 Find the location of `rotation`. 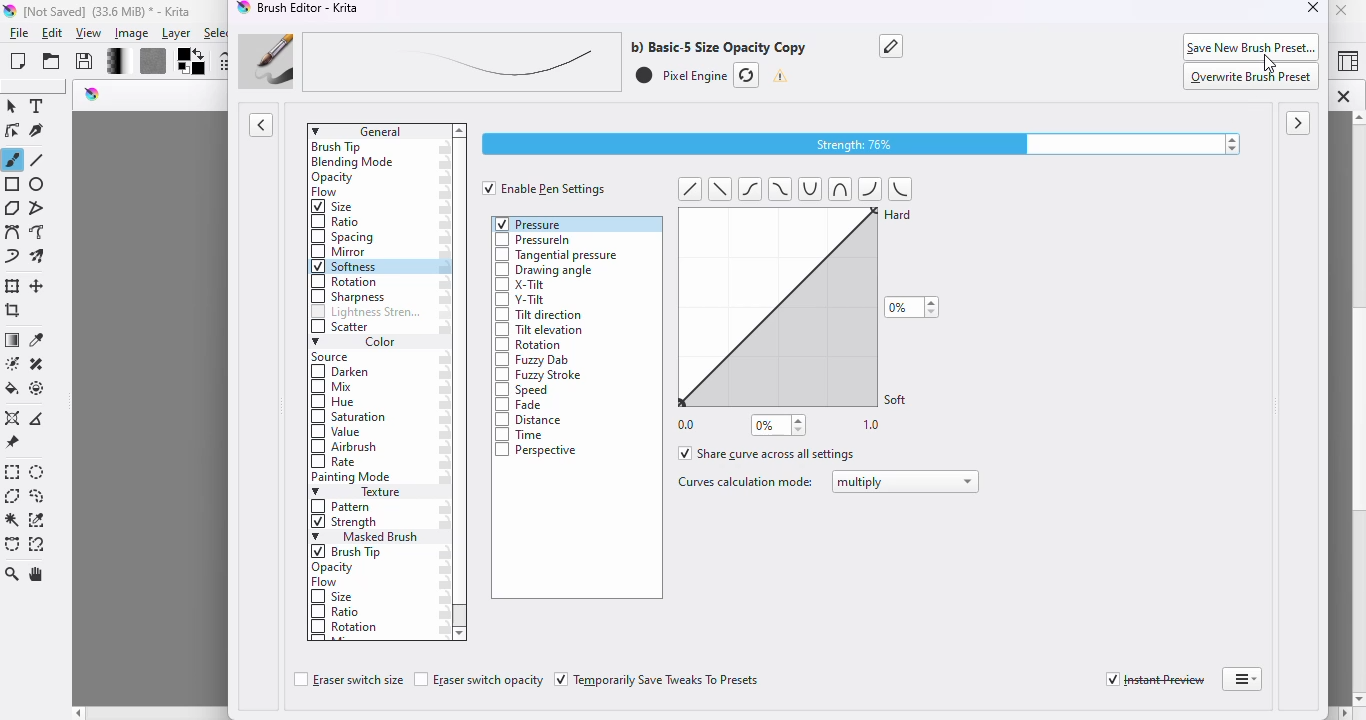

rotation is located at coordinates (343, 282).